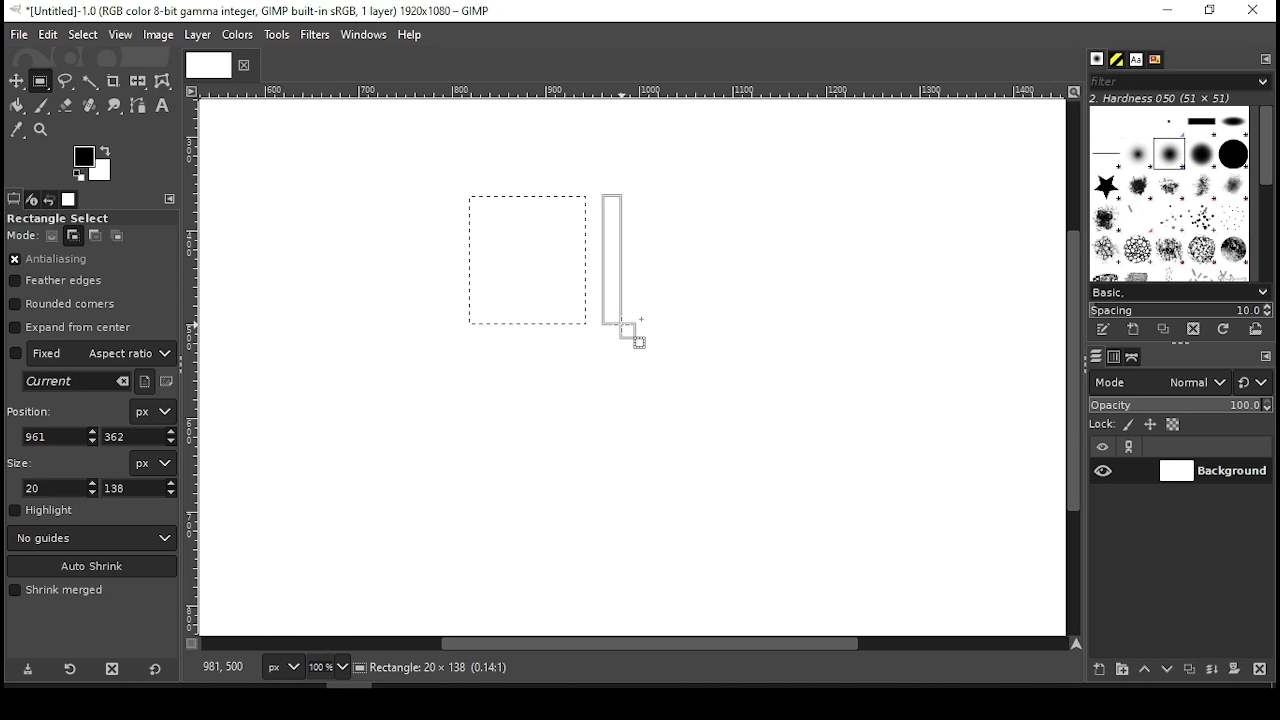  I want to click on pick aspect ration, so click(77, 382).